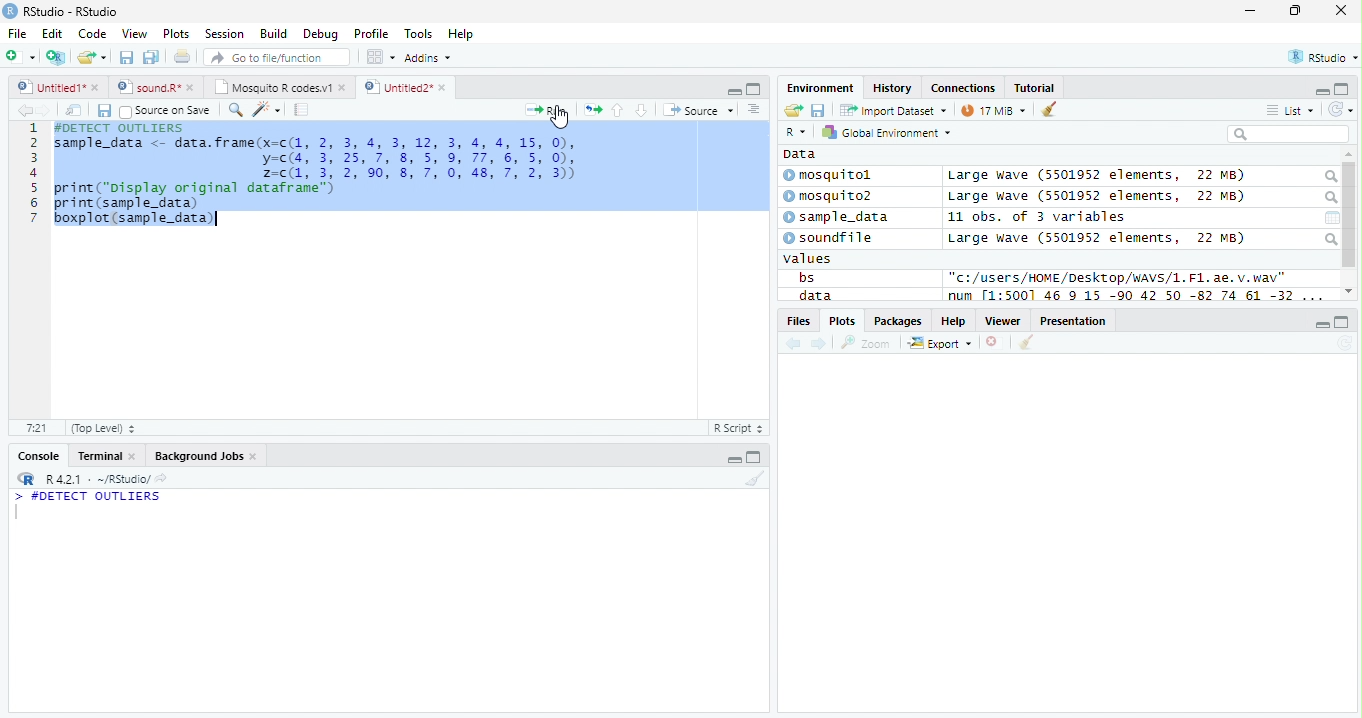  What do you see at coordinates (1329, 198) in the screenshot?
I see `search` at bounding box center [1329, 198].